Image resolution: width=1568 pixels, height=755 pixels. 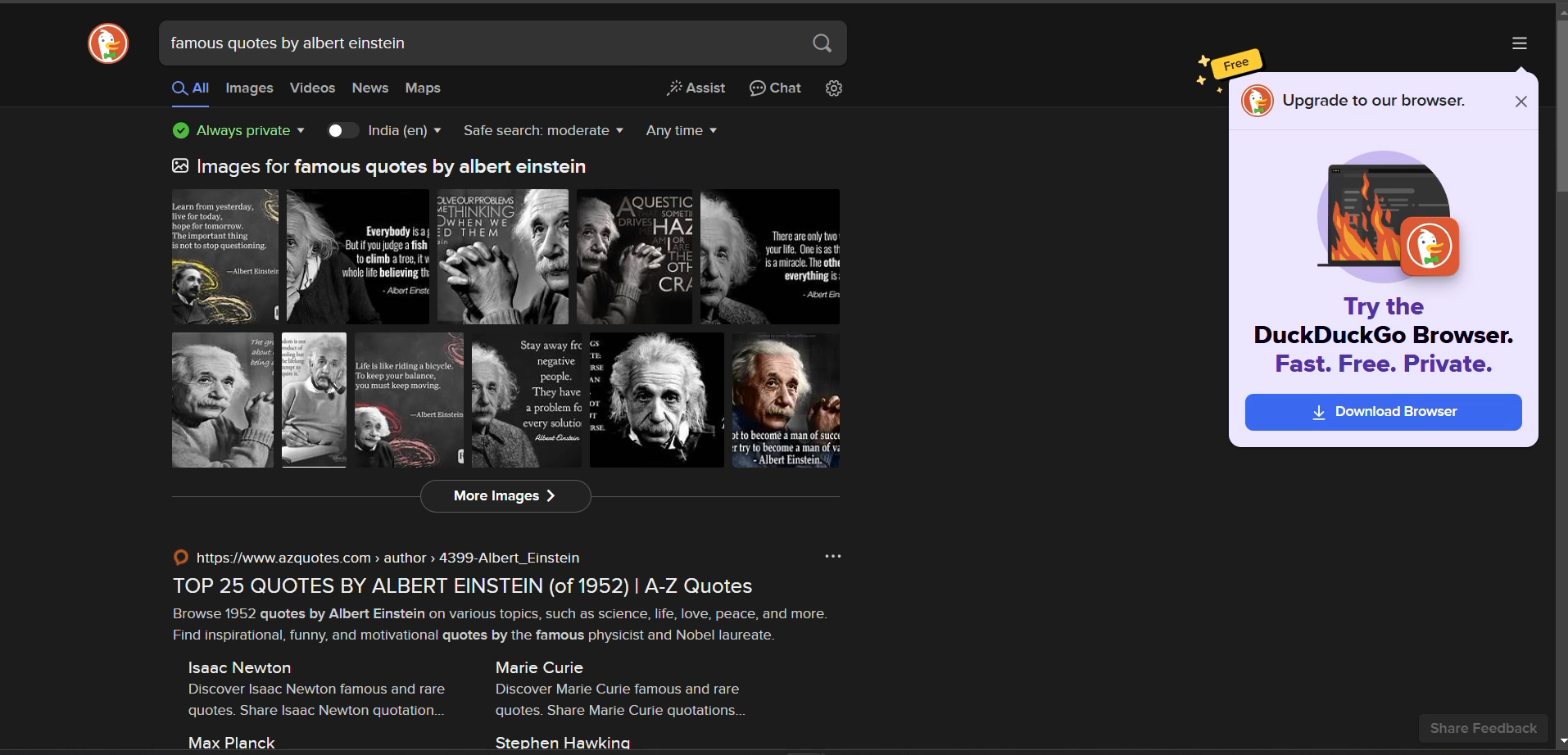 I want to click on maps, so click(x=425, y=88).